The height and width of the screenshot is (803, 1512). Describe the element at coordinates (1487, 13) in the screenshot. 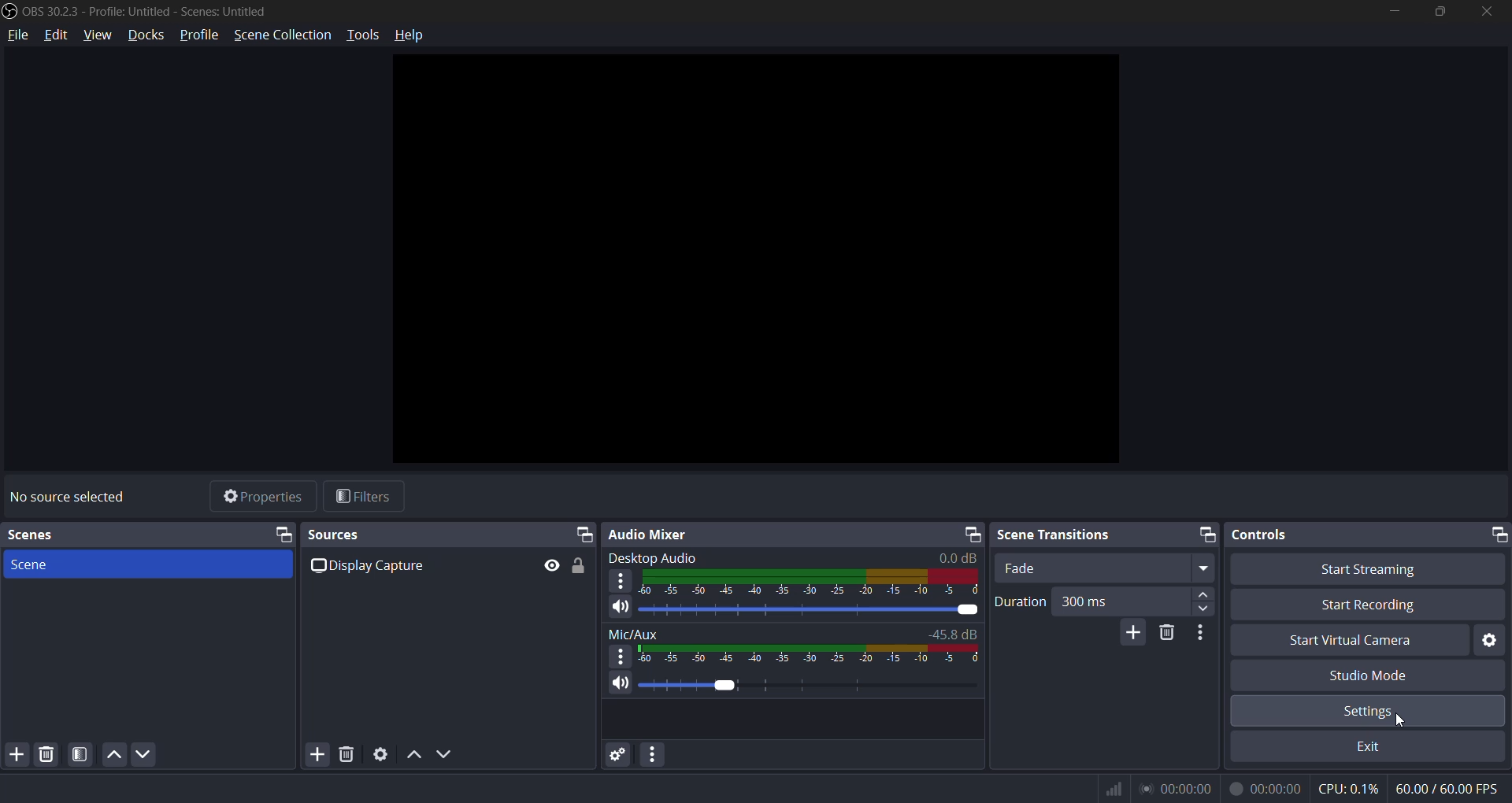

I see `close` at that location.